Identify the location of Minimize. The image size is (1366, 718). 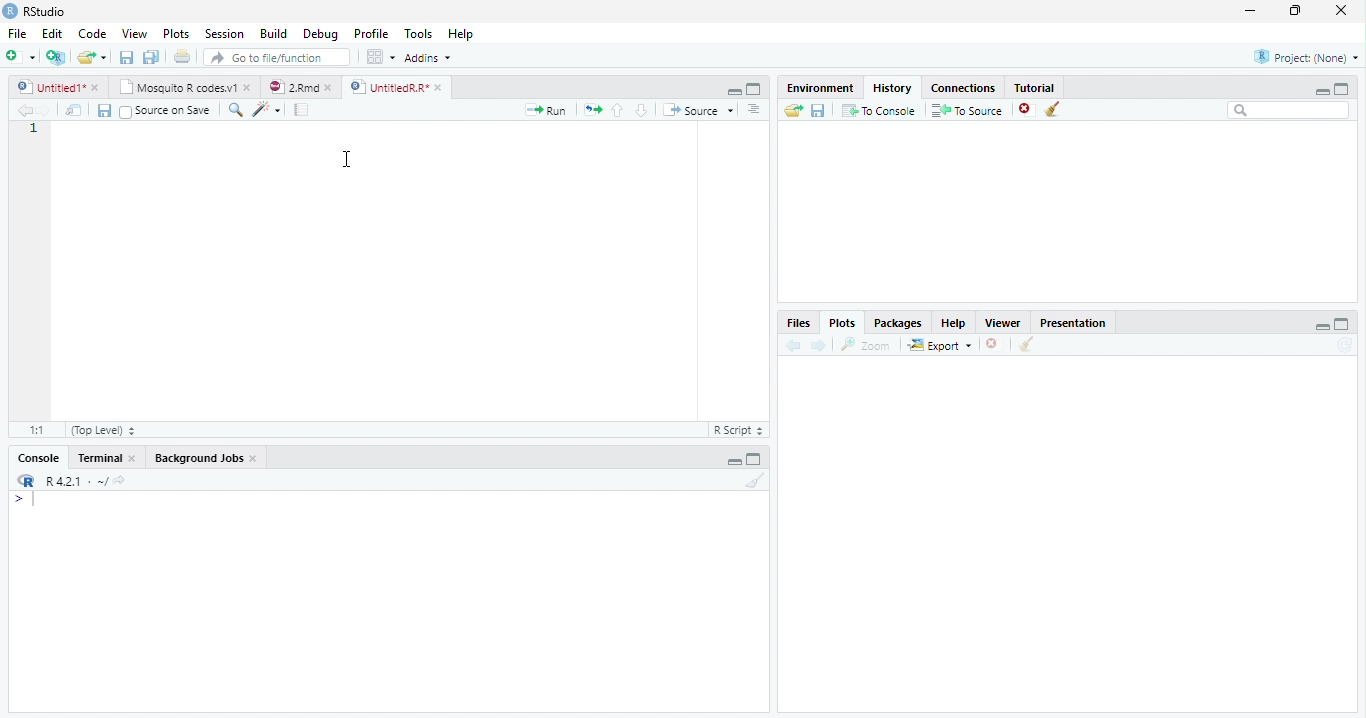
(1252, 10).